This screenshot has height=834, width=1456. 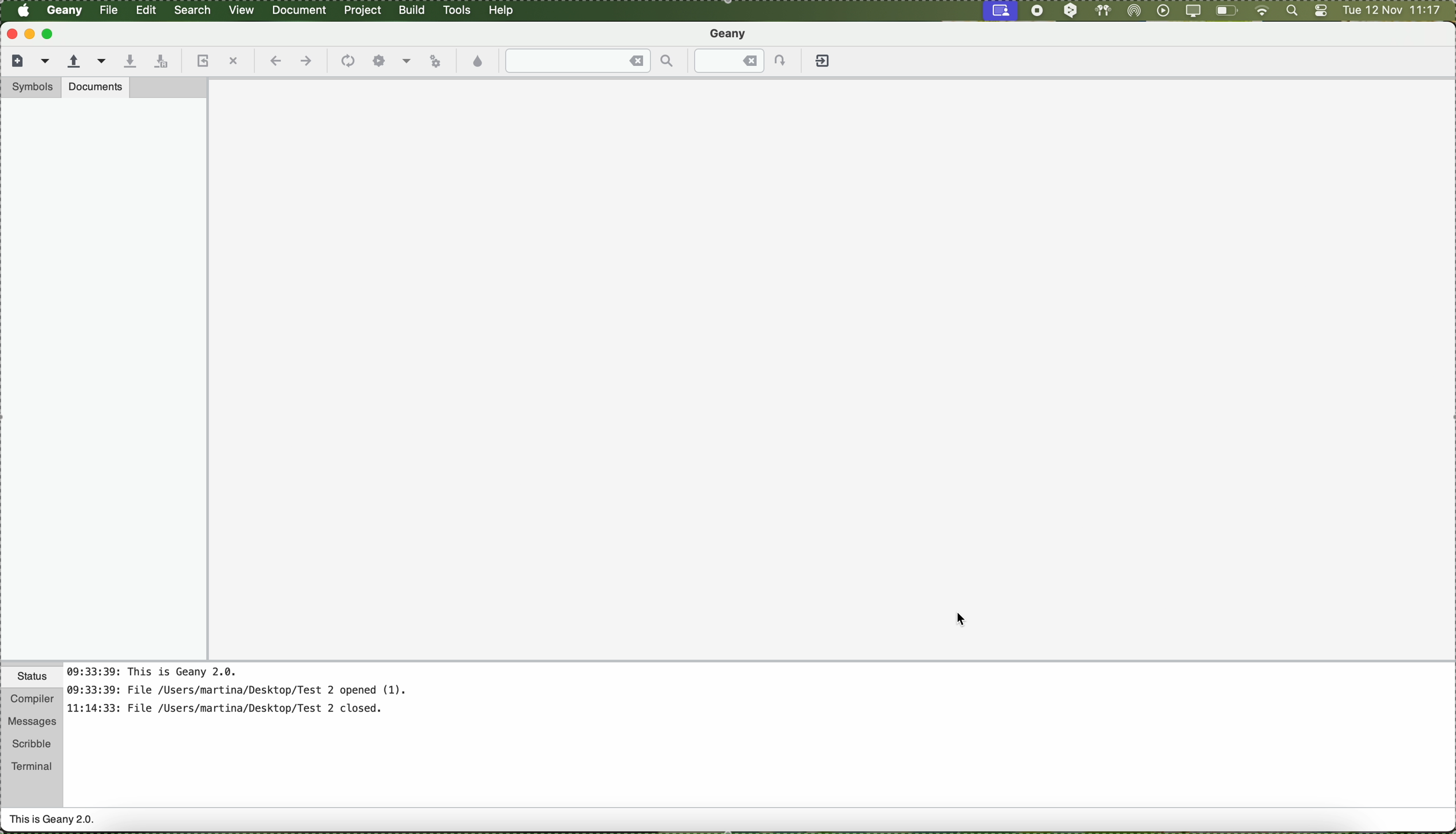 What do you see at coordinates (102, 61) in the screenshot?
I see `open a recent file` at bounding box center [102, 61].